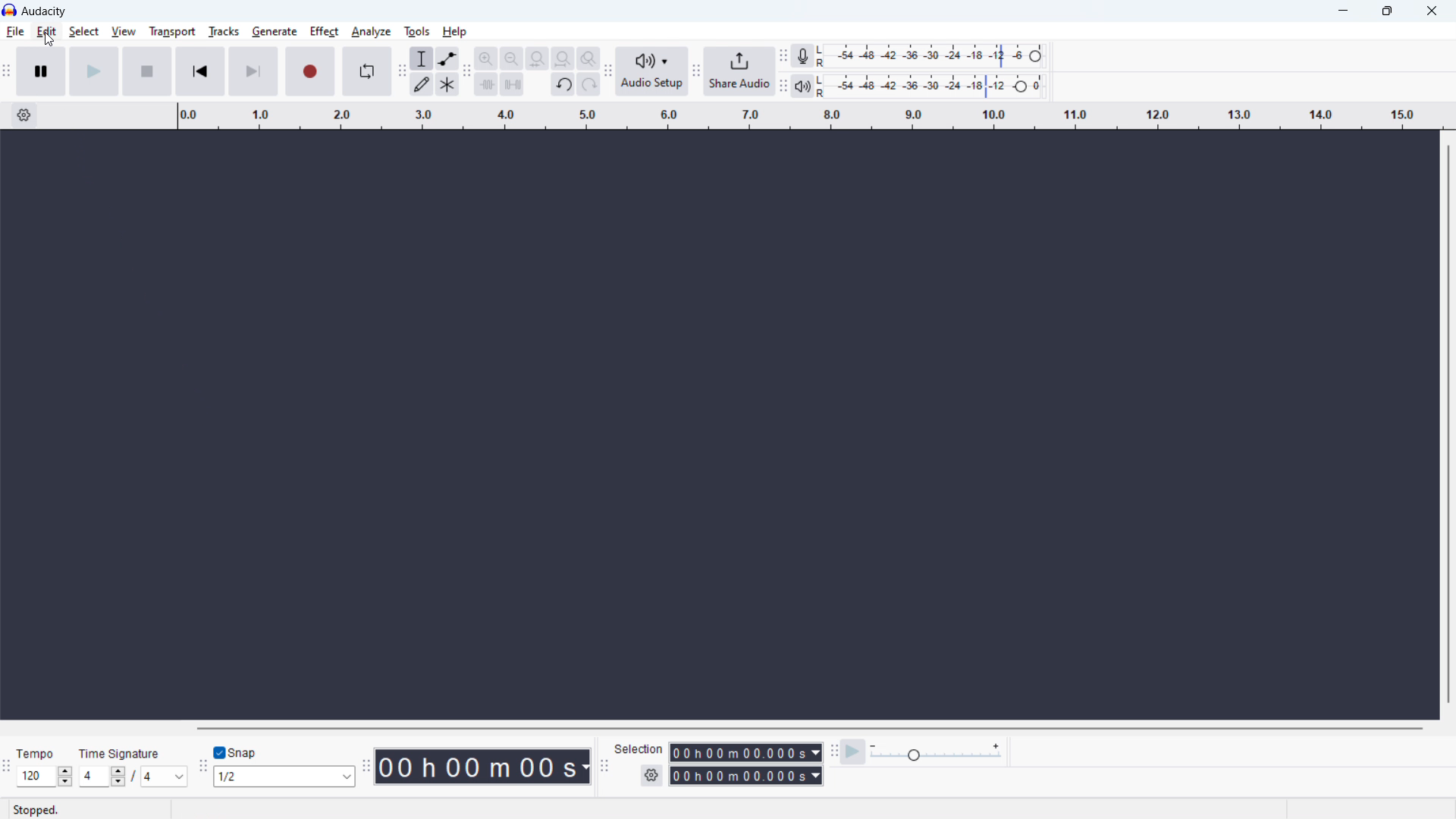 The image size is (1456, 819). I want to click on Enables movement of selection toolbar, so click(604, 767).